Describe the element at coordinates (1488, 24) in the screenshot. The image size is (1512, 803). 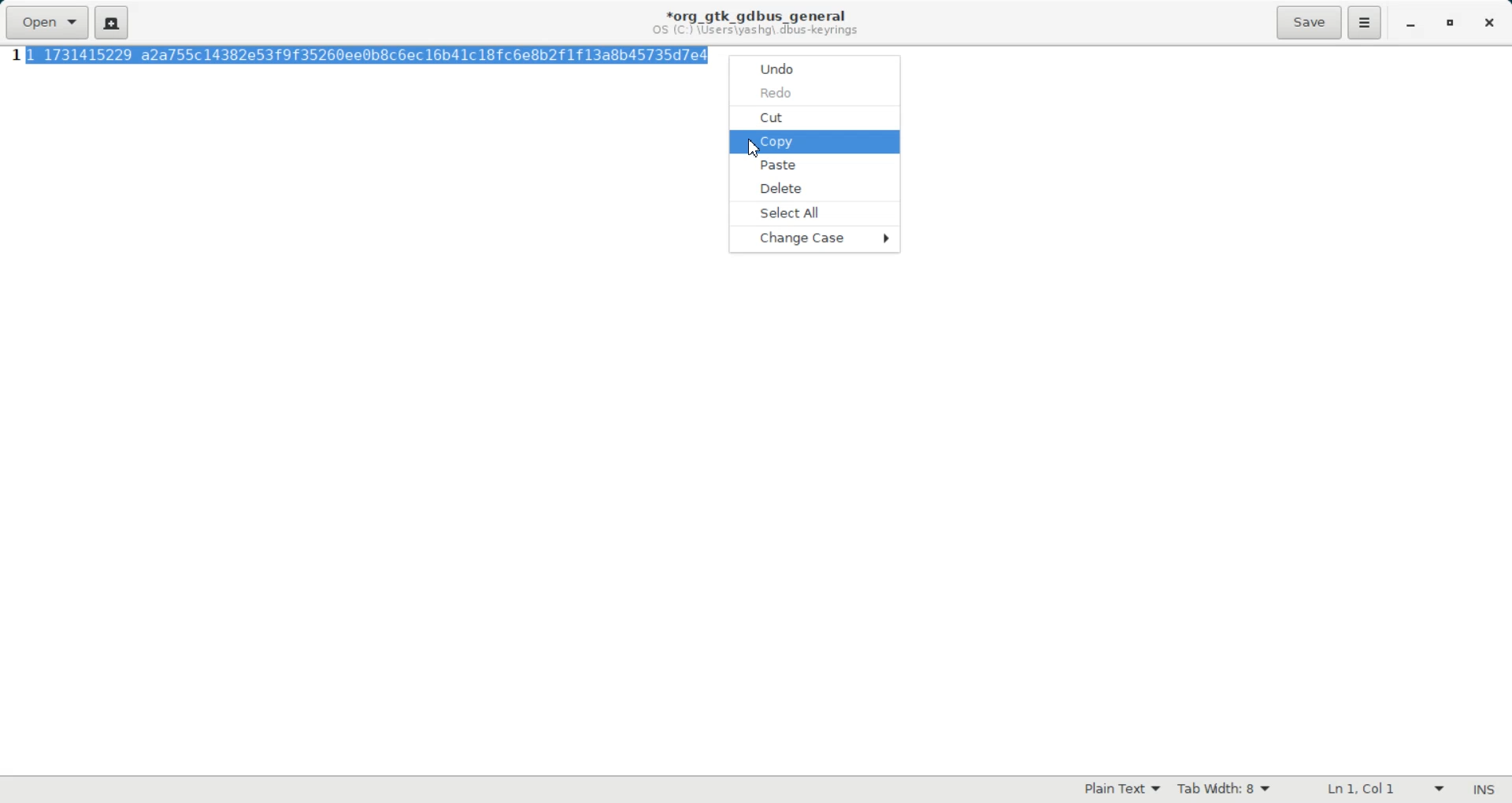
I see `Close` at that location.